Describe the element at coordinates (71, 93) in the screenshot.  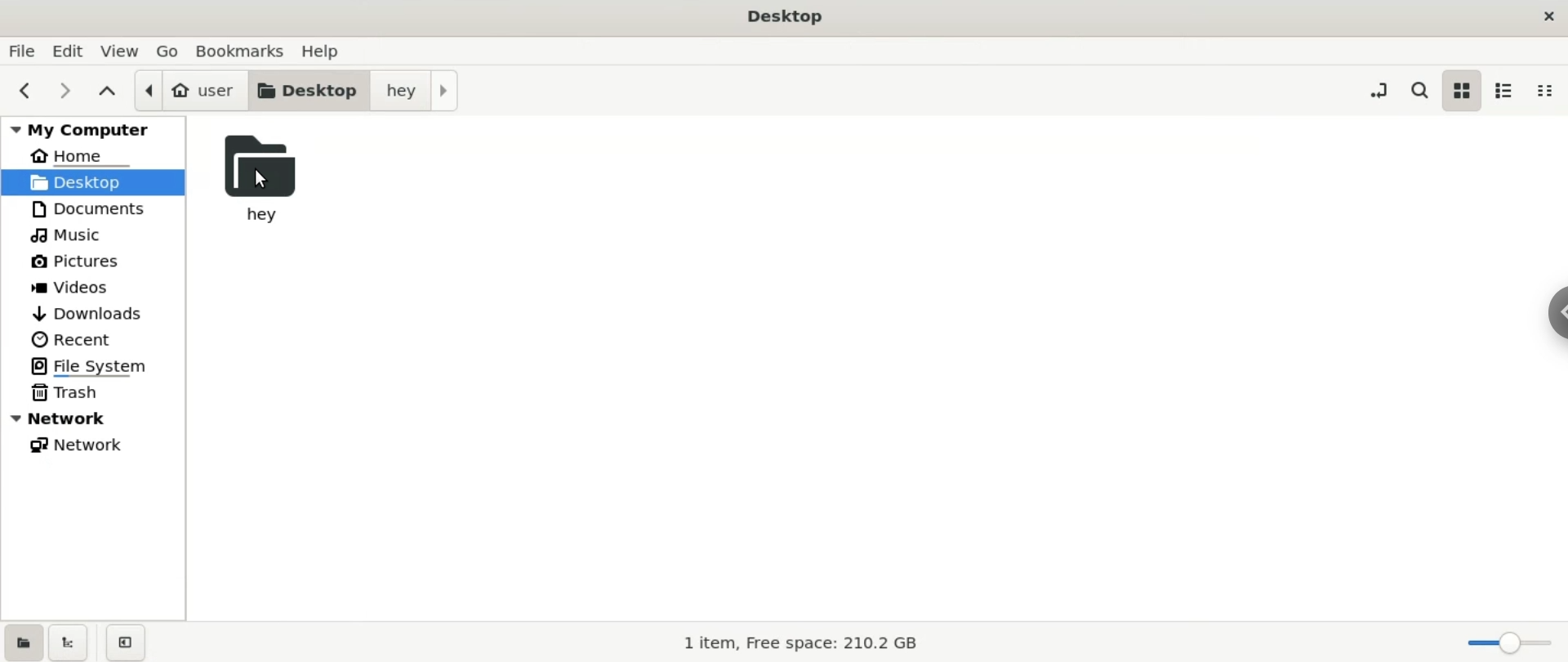
I see `next` at that location.